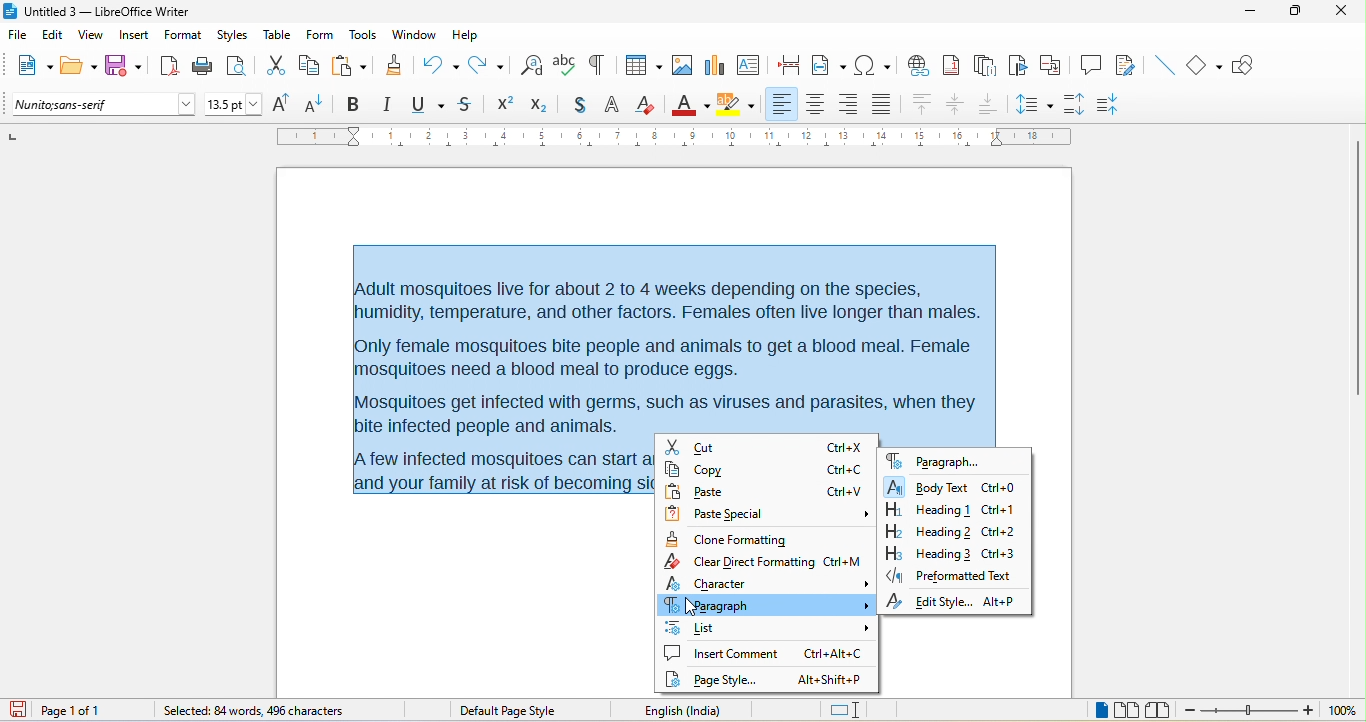 This screenshot has height=722, width=1366. What do you see at coordinates (951, 64) in the screenshot?
I see `footnote` at bounding box center [951, 64].